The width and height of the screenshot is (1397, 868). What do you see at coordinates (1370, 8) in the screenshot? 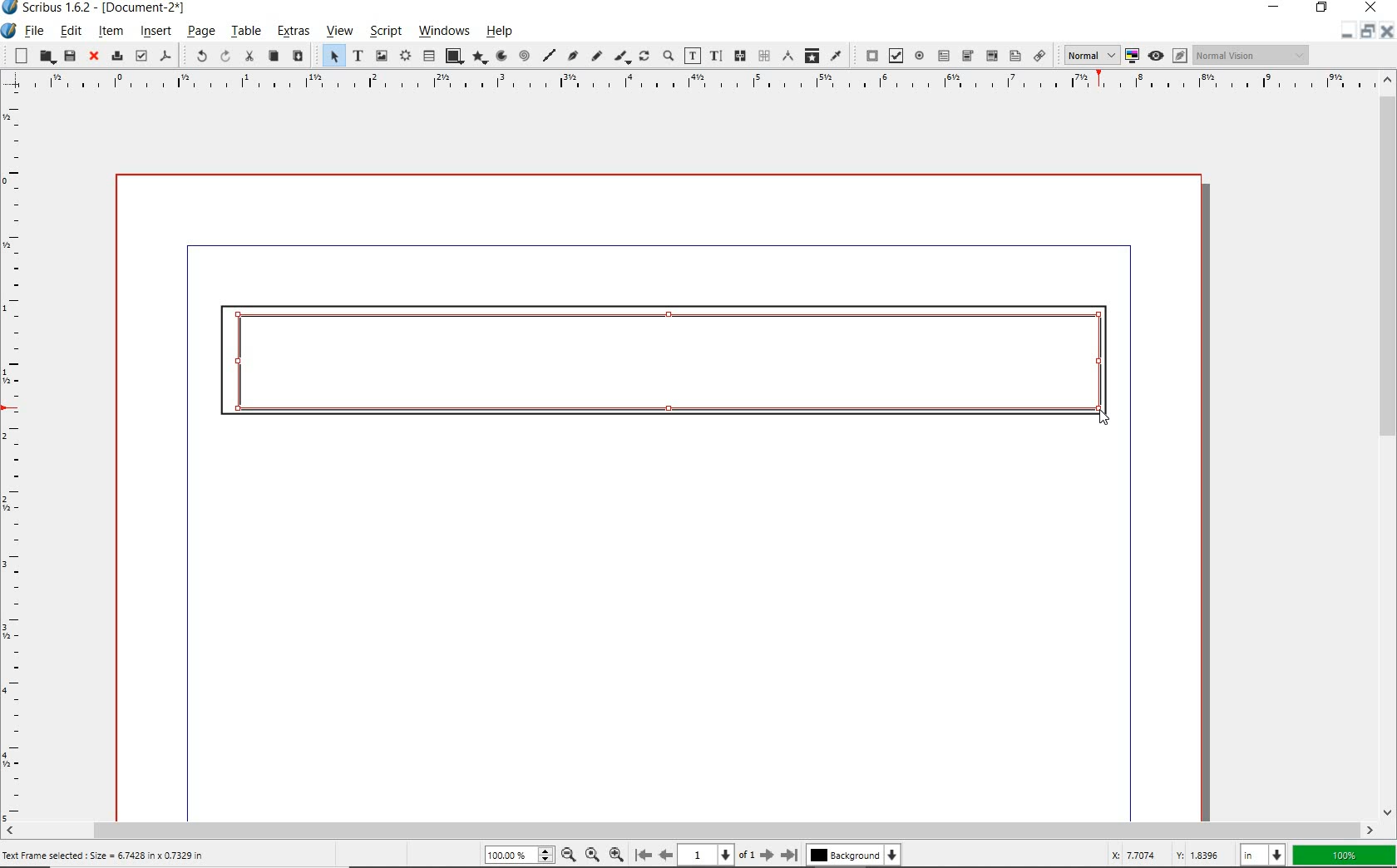
I see `close` at bounding box center [1370, 8].